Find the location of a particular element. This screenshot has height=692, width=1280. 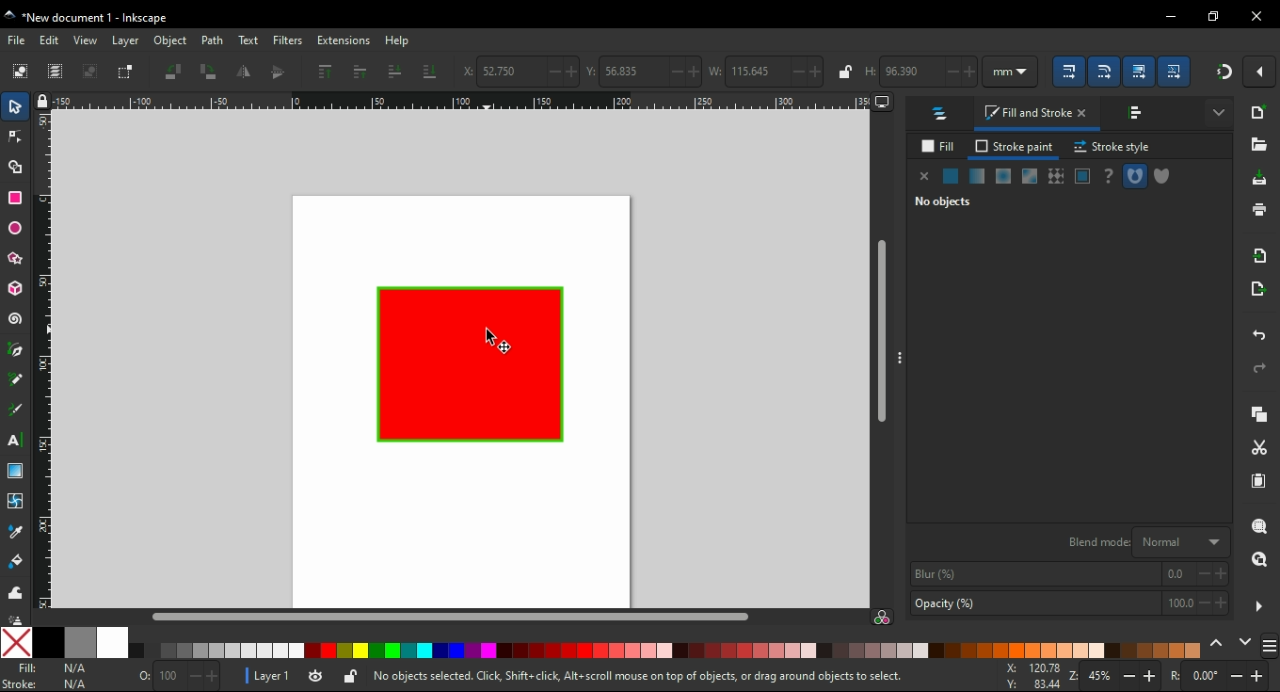

path is located at coordinates (212, 40).